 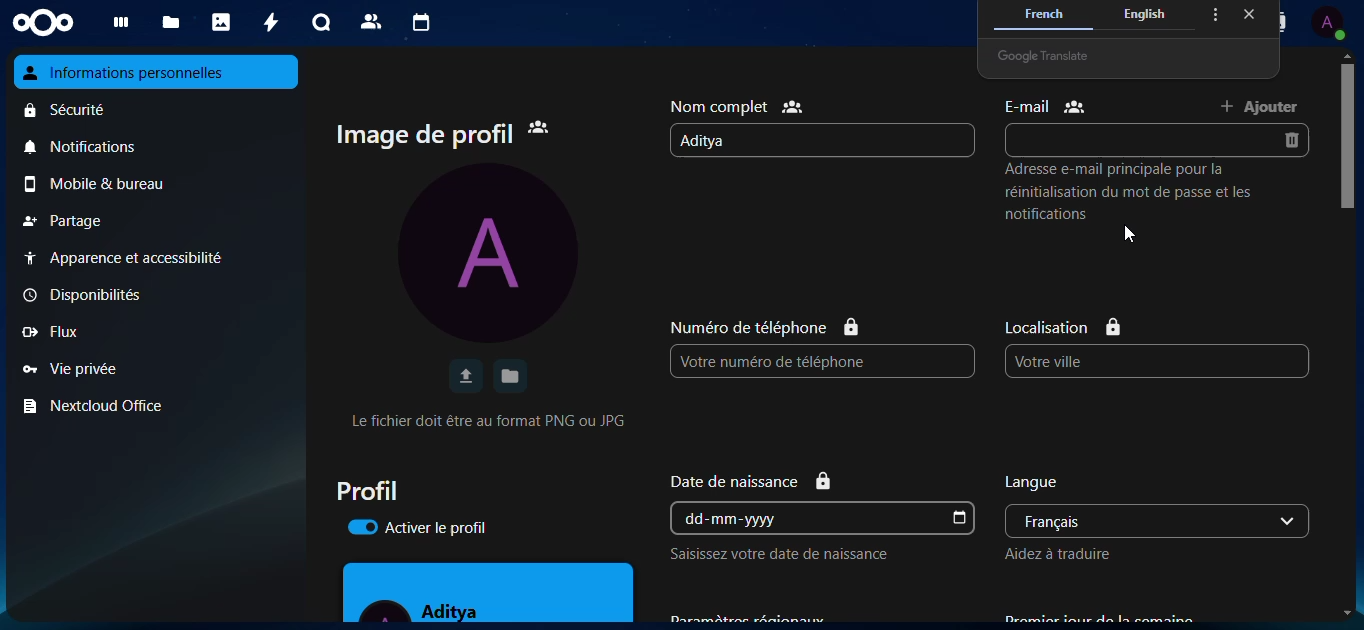 I want to click on Vie privee, so click(x=68, y=367).